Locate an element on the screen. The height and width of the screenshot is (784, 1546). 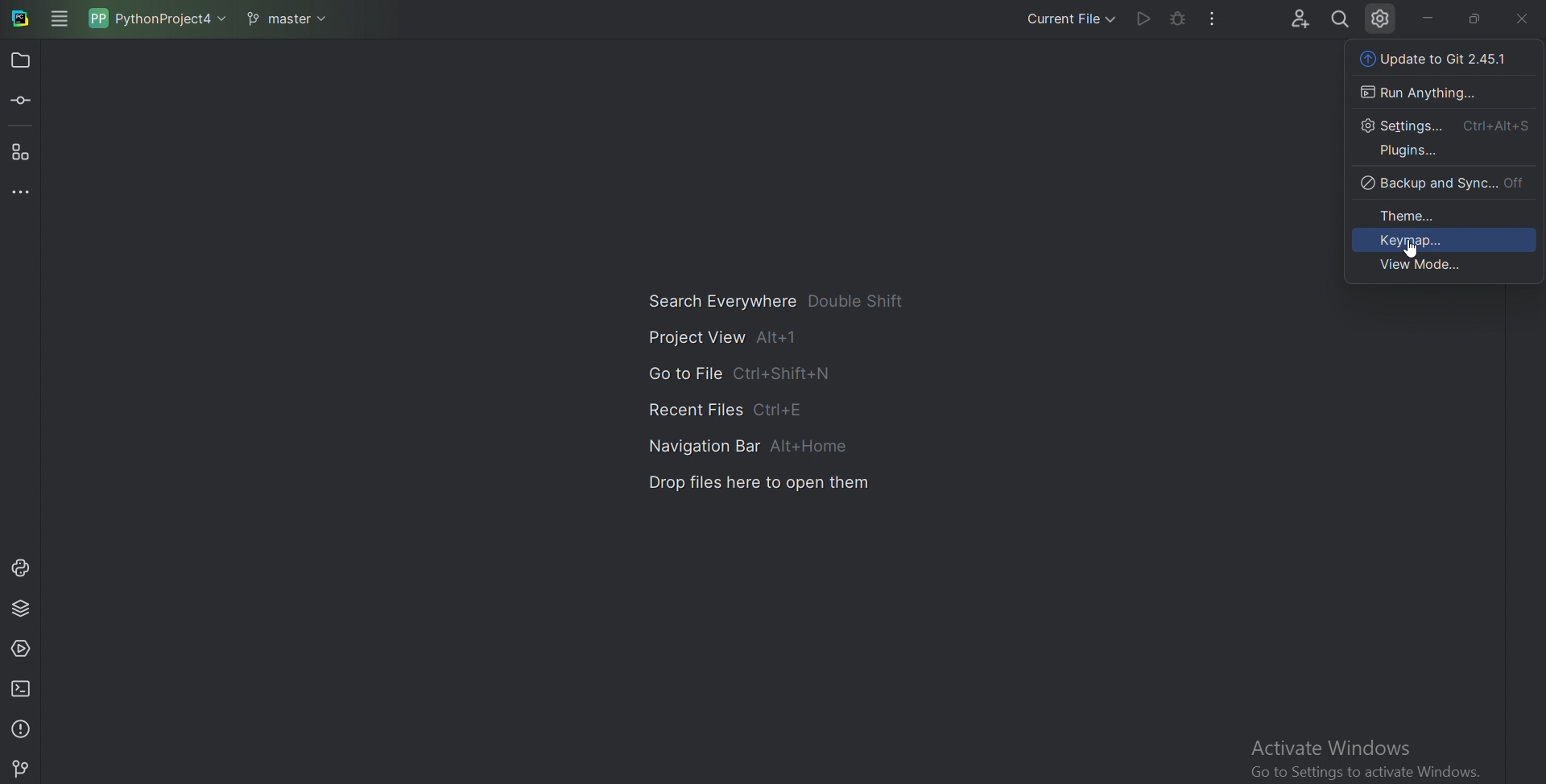
Code with me is located at coordinates (1292, 21).